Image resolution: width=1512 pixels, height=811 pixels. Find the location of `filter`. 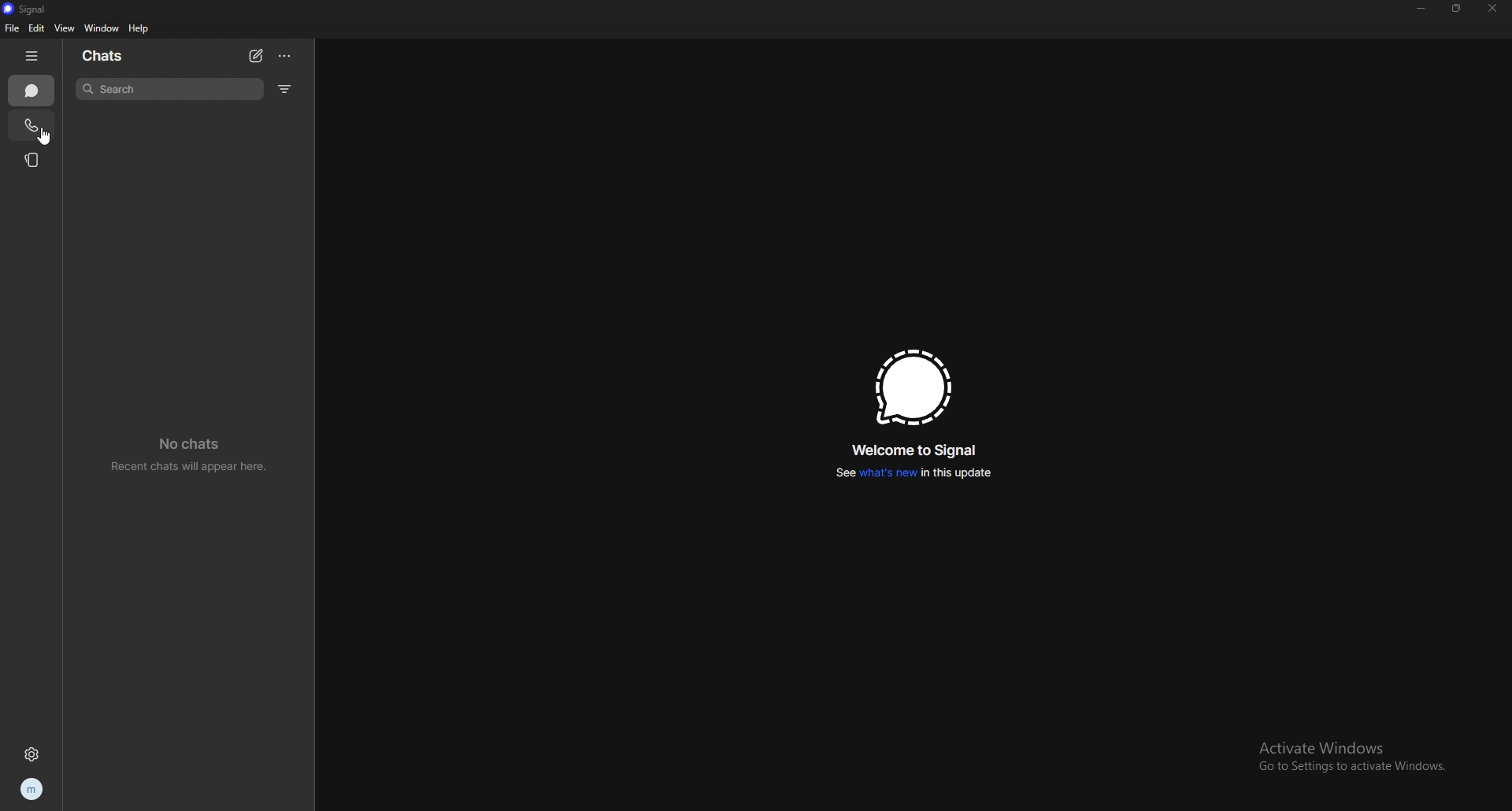

filter is located at coordinates (288, 88).